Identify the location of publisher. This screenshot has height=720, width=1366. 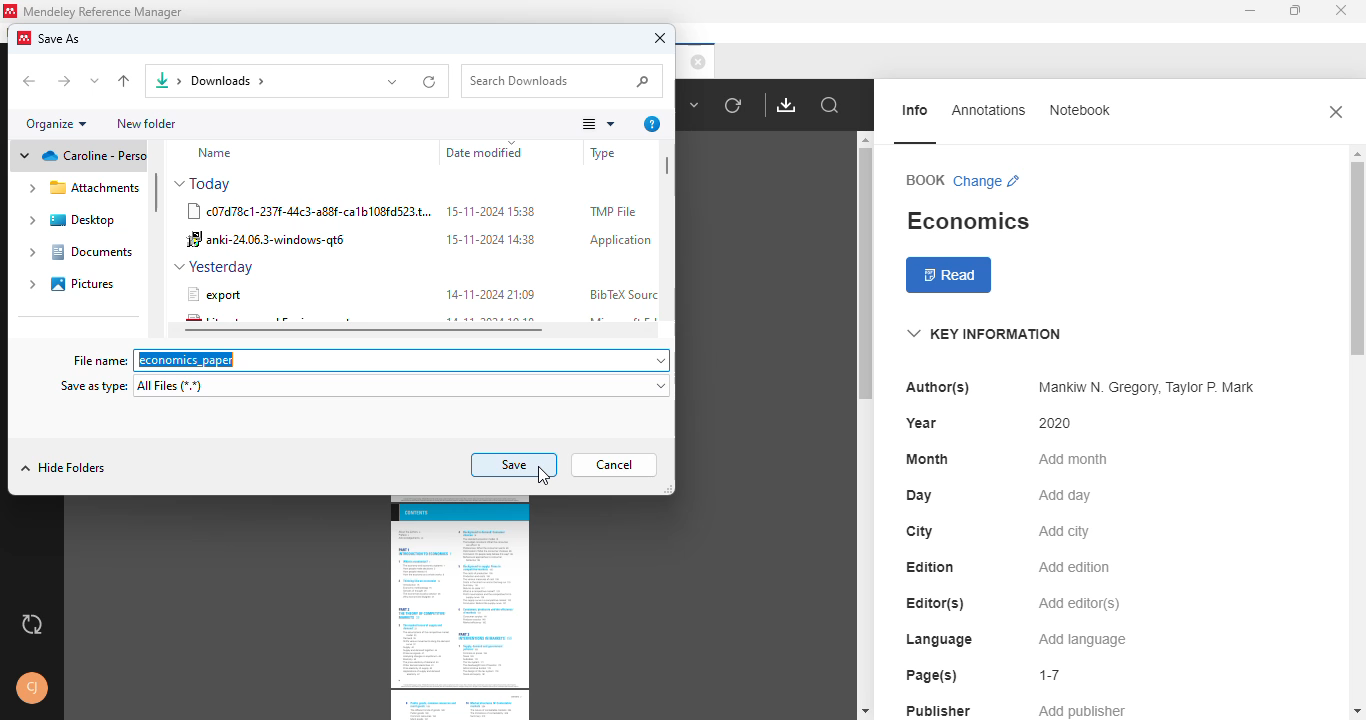
(939, 709).